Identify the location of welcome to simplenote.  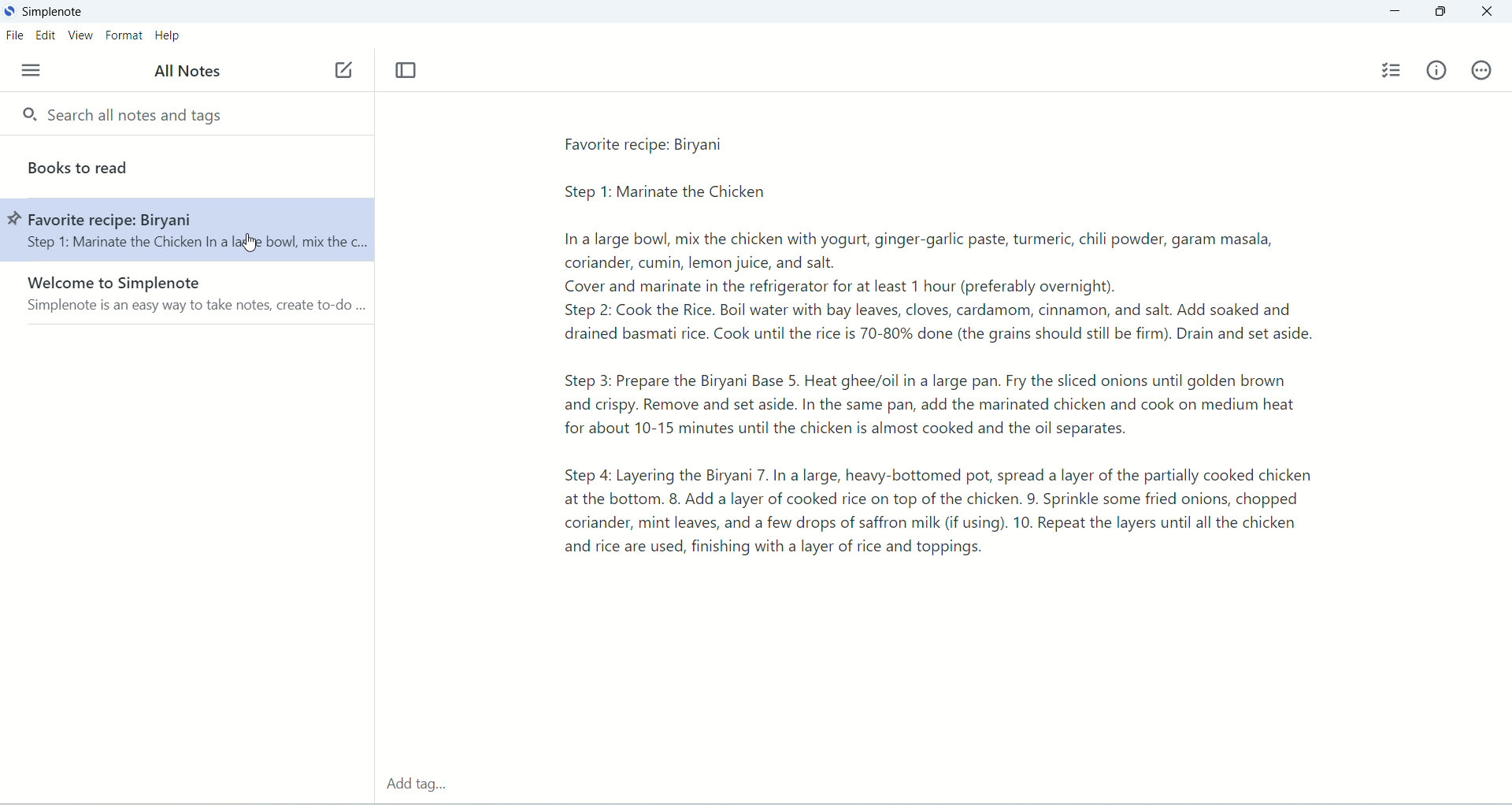
(187, 293).